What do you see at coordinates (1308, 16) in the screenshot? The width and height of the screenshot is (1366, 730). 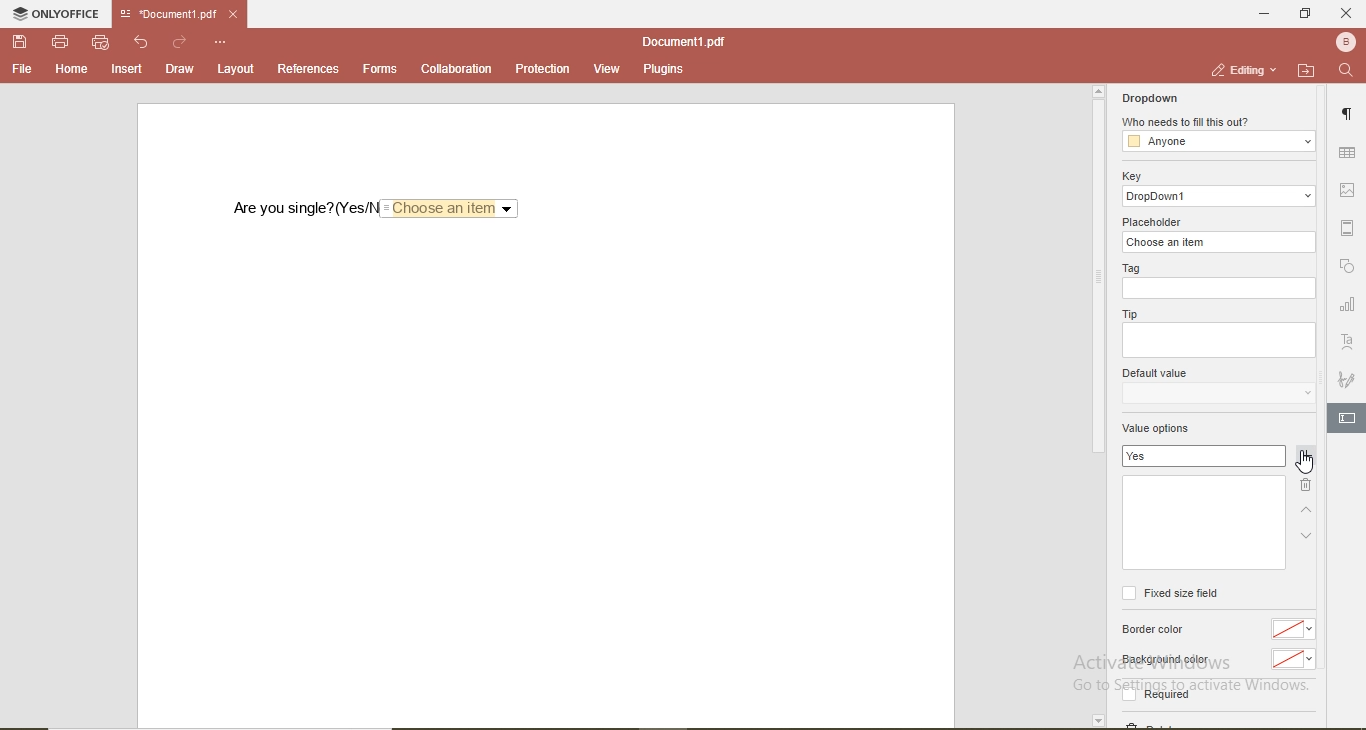 I see `restore` at bounding box center [1308, 16].